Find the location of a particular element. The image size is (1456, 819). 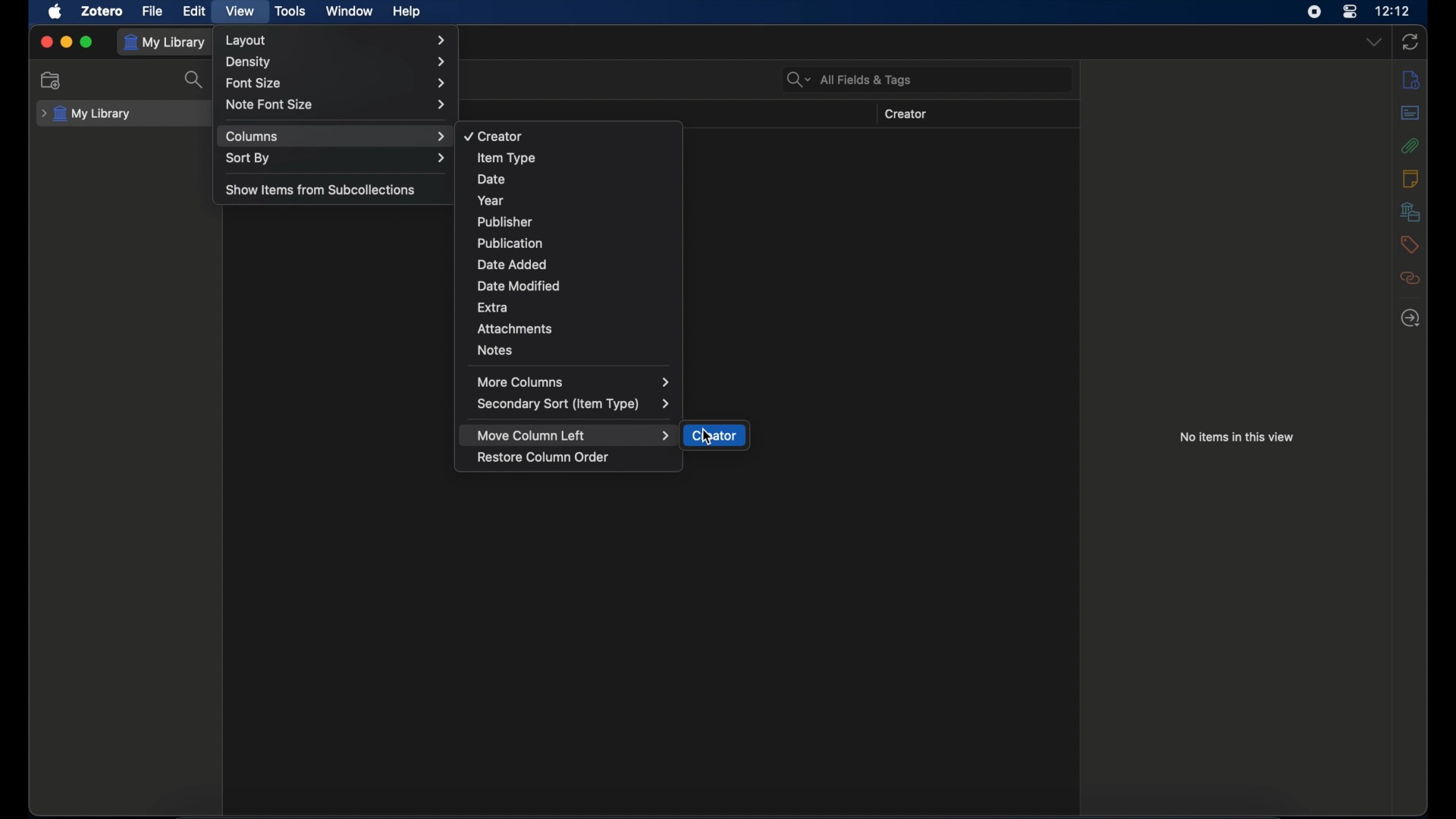

date added is located at coordinates (513, 265).